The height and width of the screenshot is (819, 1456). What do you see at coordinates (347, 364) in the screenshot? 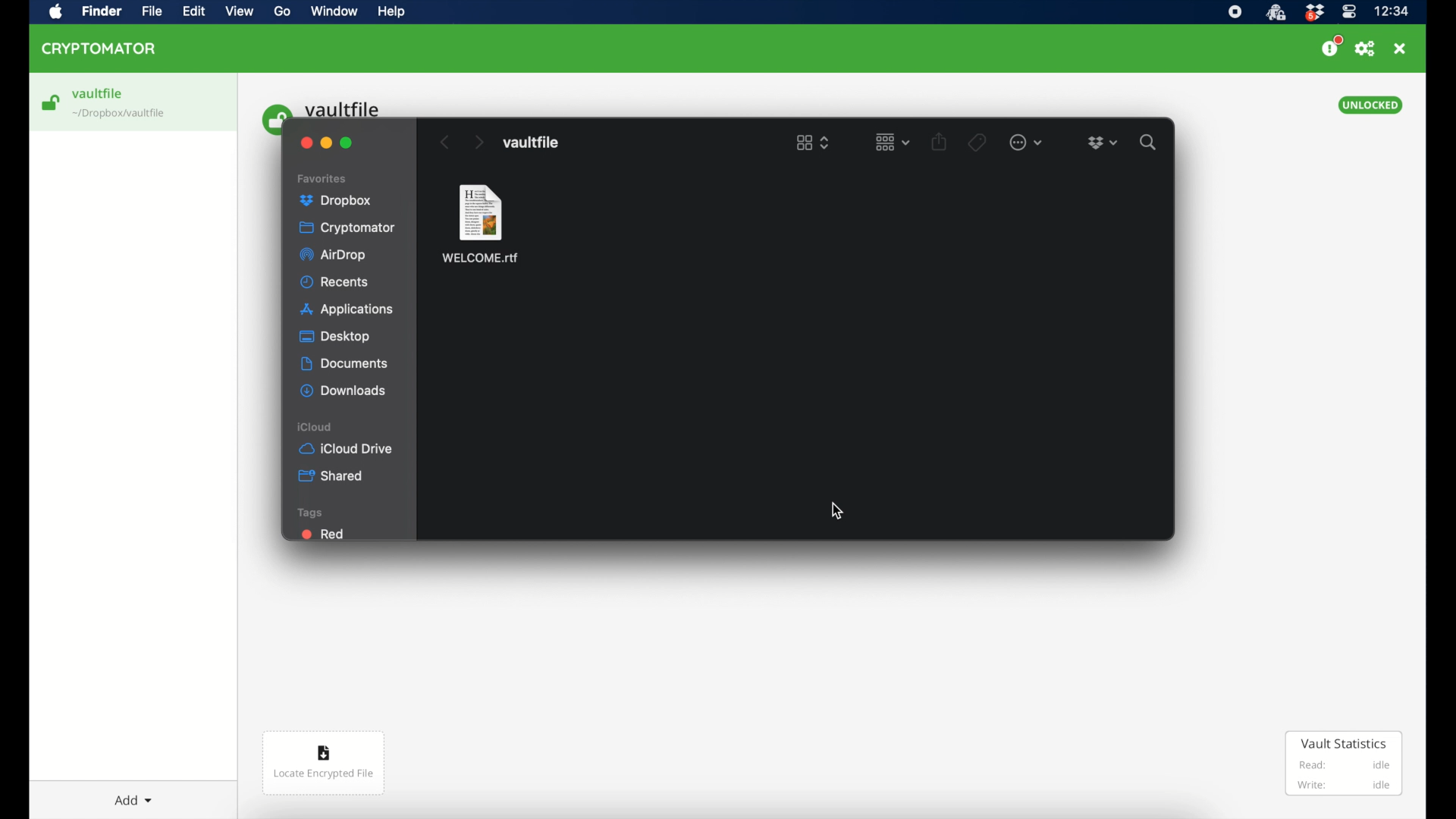
I see `documents` at bounding box center [347, 364].